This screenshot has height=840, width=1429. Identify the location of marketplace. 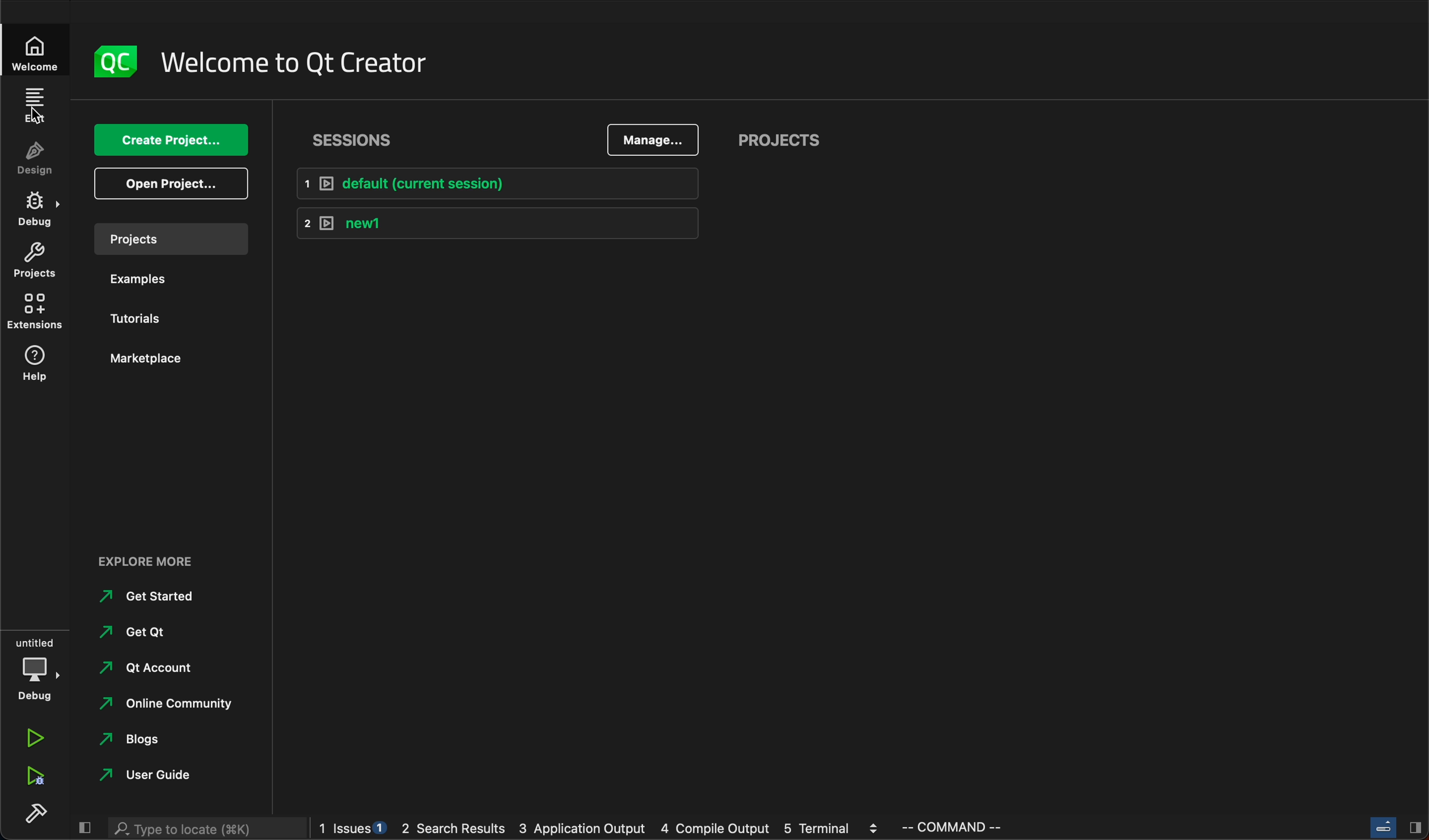
(161, 358).